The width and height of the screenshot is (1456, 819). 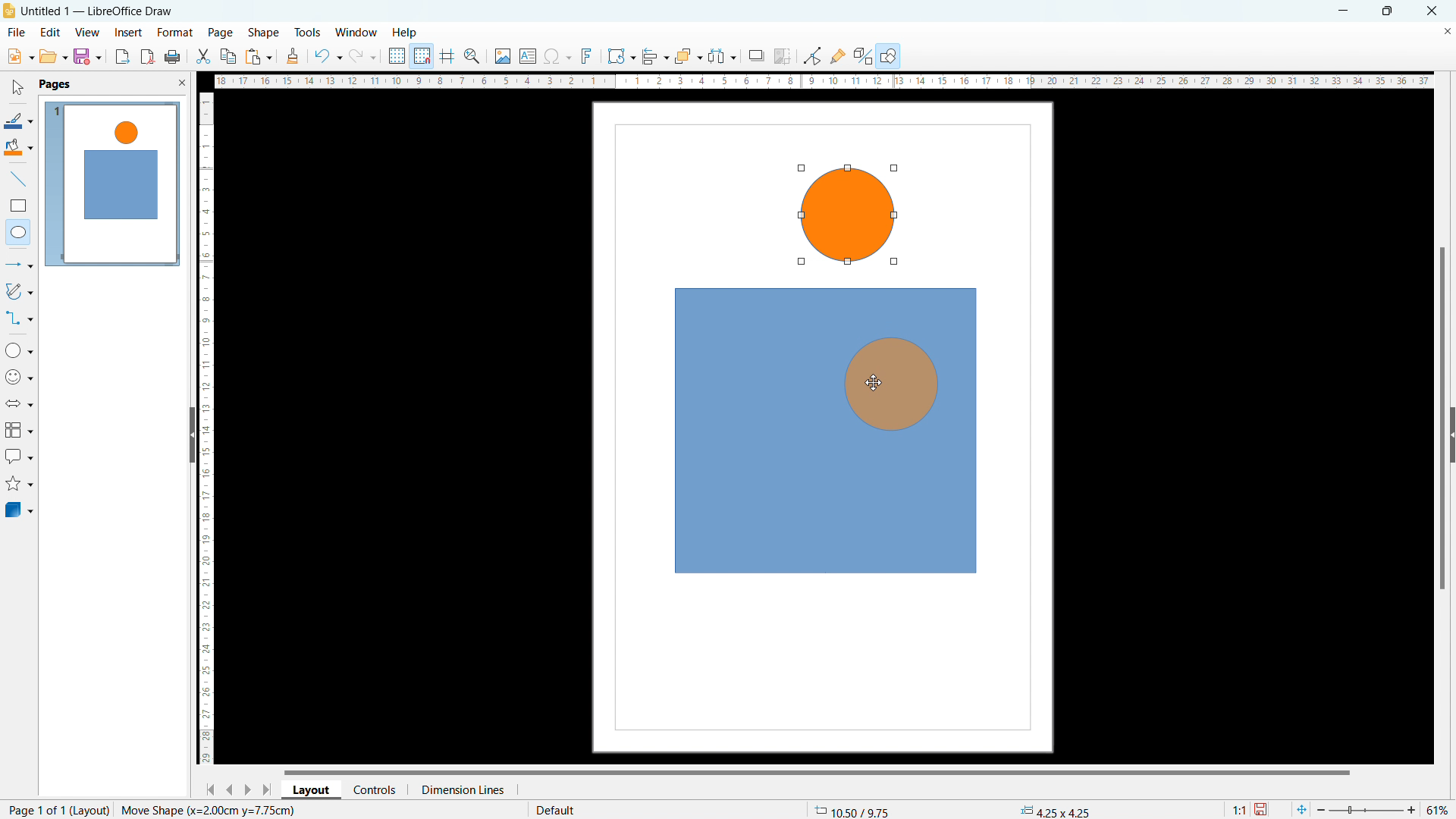 What do you see at coordinates (783, 56) in the screenshot?
I see `crop` at bounding box center [783, 56].